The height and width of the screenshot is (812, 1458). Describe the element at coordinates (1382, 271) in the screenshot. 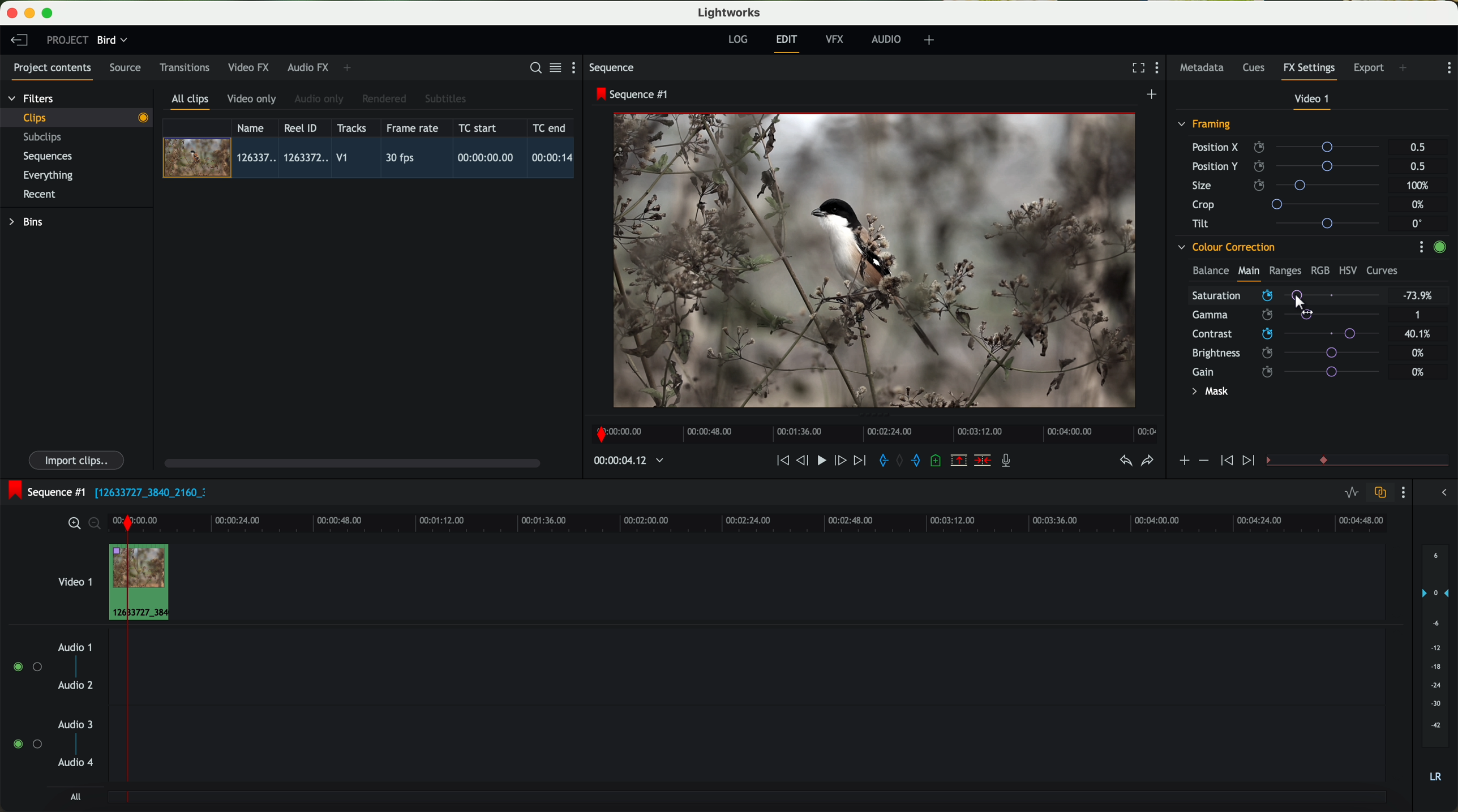

I see `curves` at that location.